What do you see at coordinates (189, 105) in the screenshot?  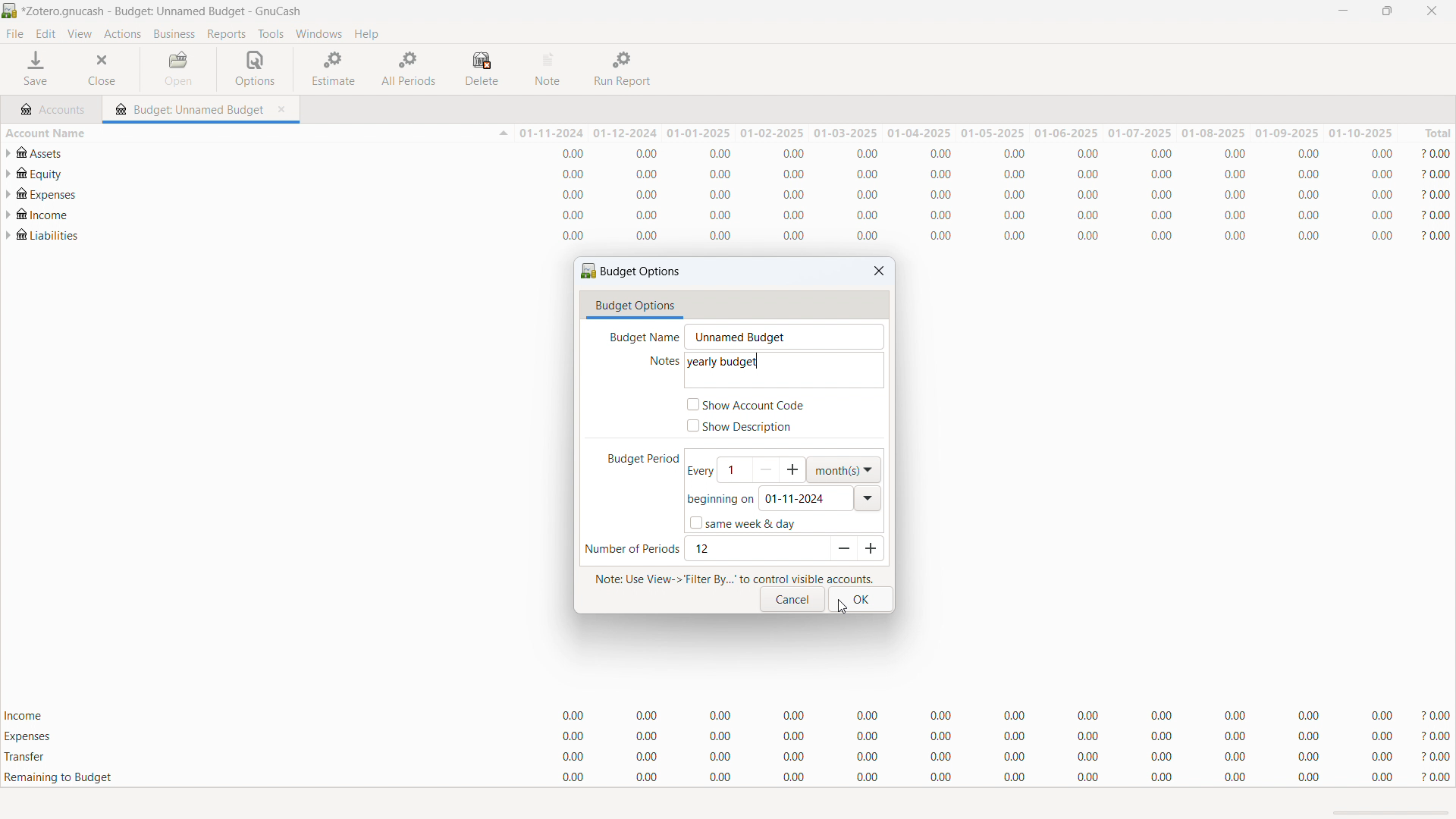 I see `budget tab` at bounding box center [189, 105].